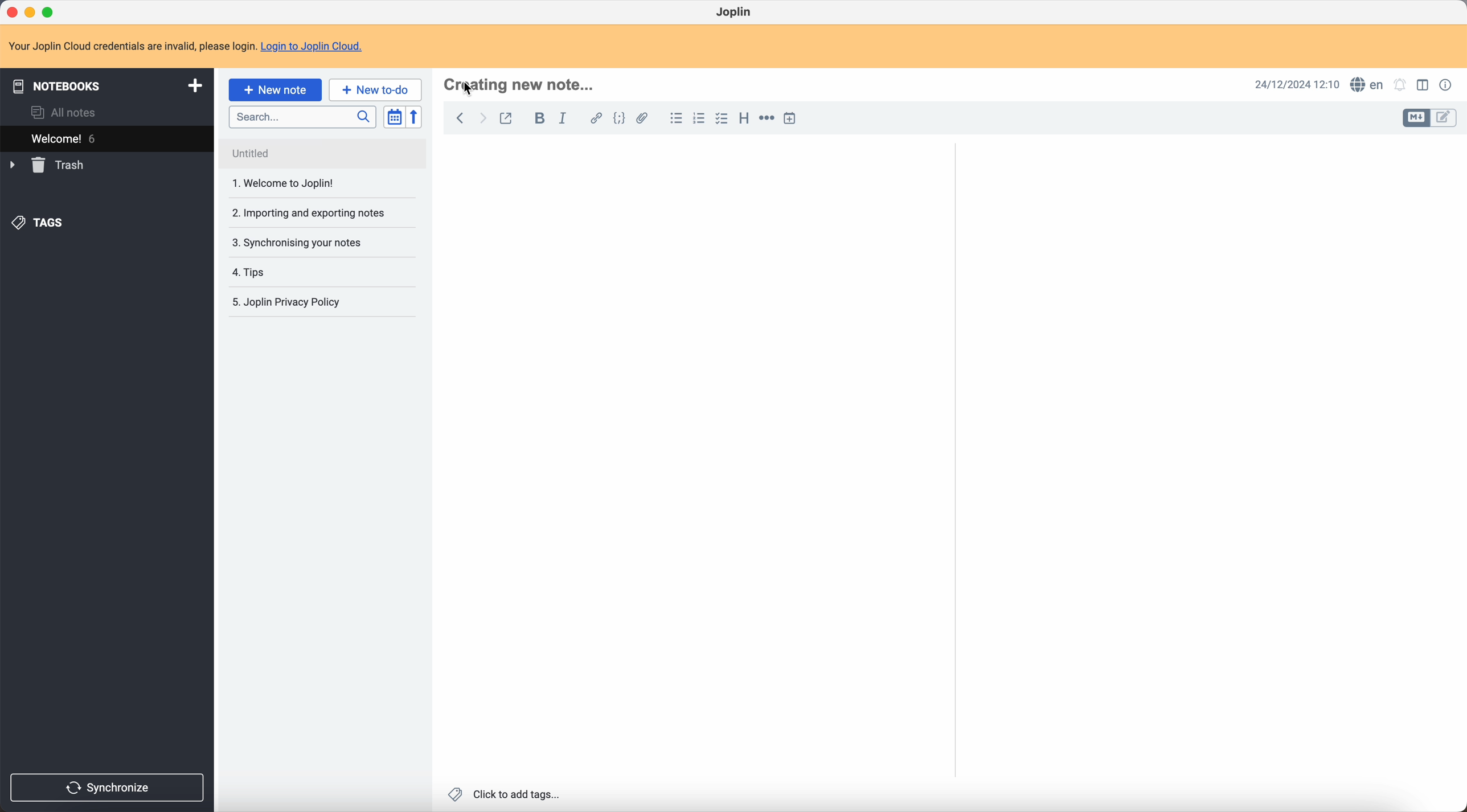 This screenshot has height=812, width=1467. What do you see at coordinates (698, 118) in the screenshot?
I see `numbered list` at bounding box center [698, 118].